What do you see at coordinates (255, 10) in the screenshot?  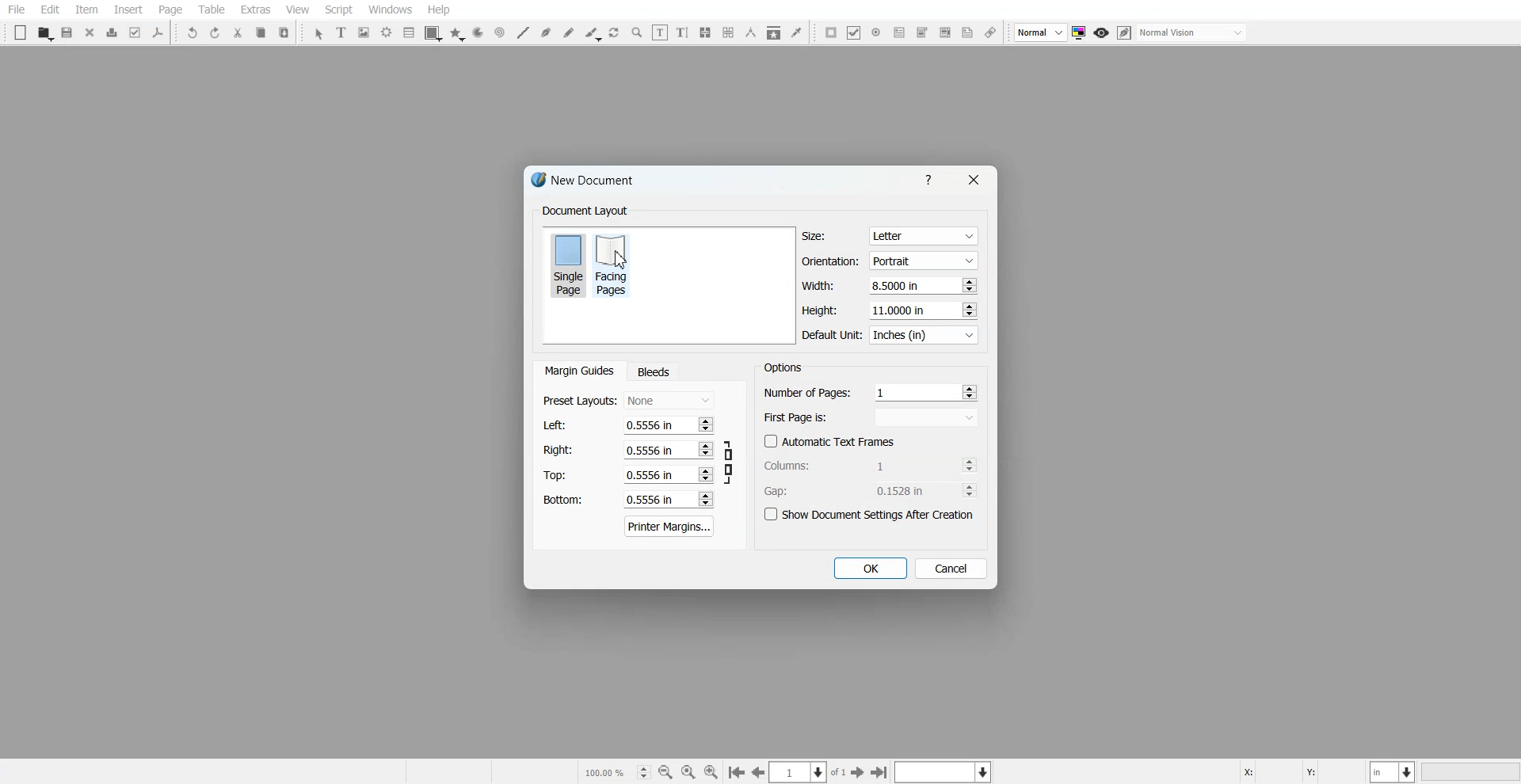 I see `Extras` at bounding box center [255, 10].